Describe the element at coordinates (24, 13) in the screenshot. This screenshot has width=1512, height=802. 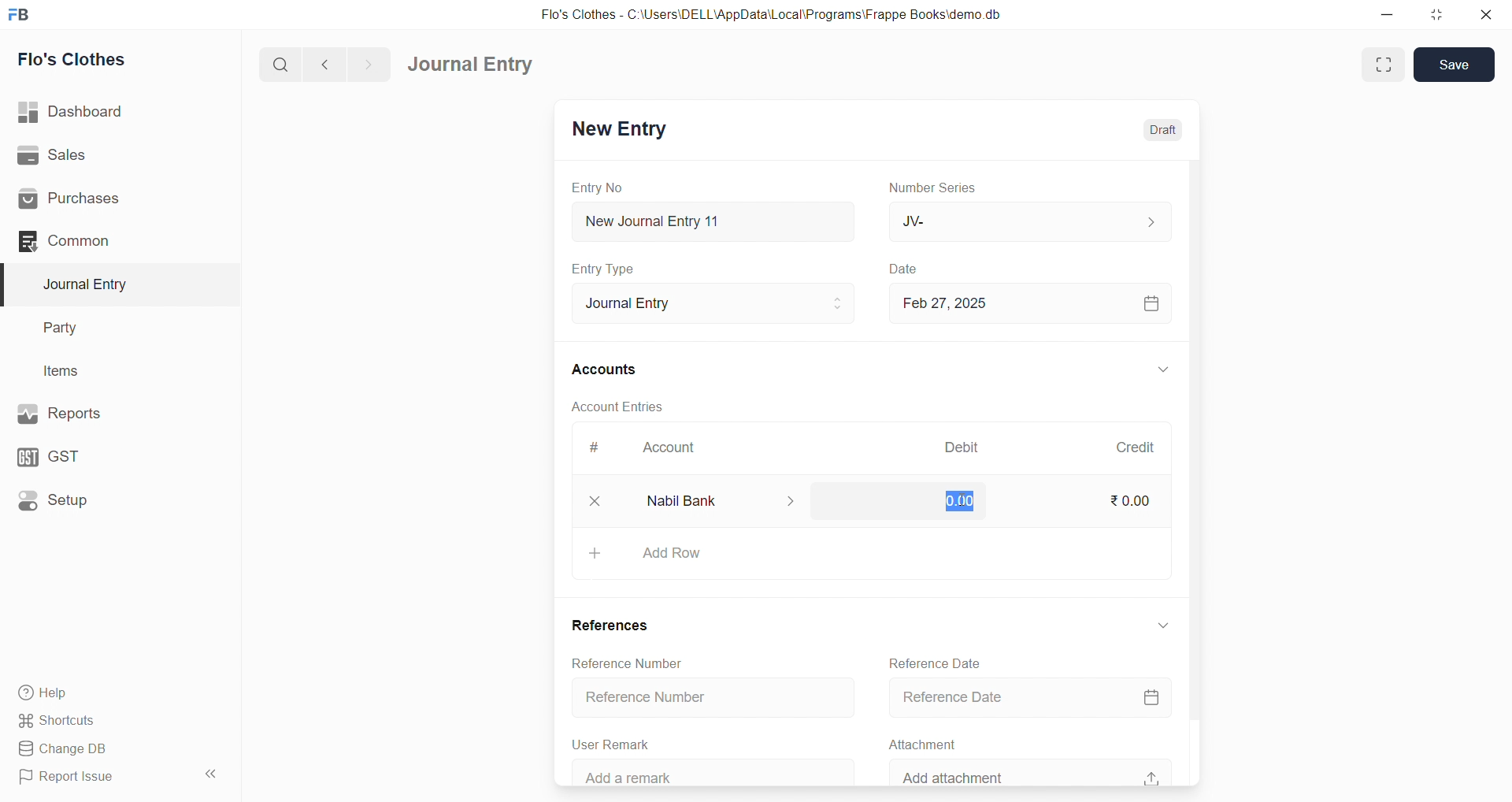
I see `logo` at that location.